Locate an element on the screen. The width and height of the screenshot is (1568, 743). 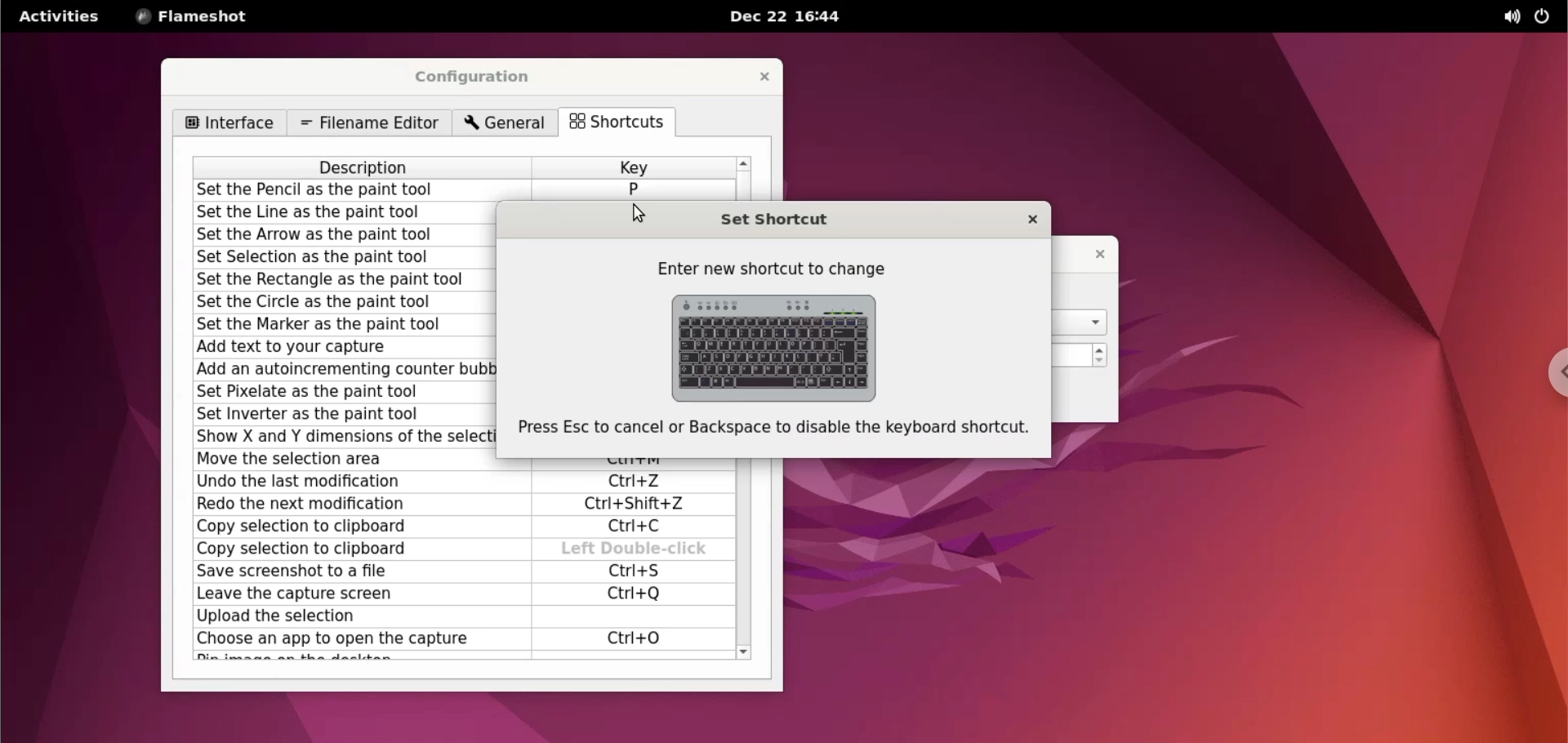
filename editor is located at coordinates (367, 123).